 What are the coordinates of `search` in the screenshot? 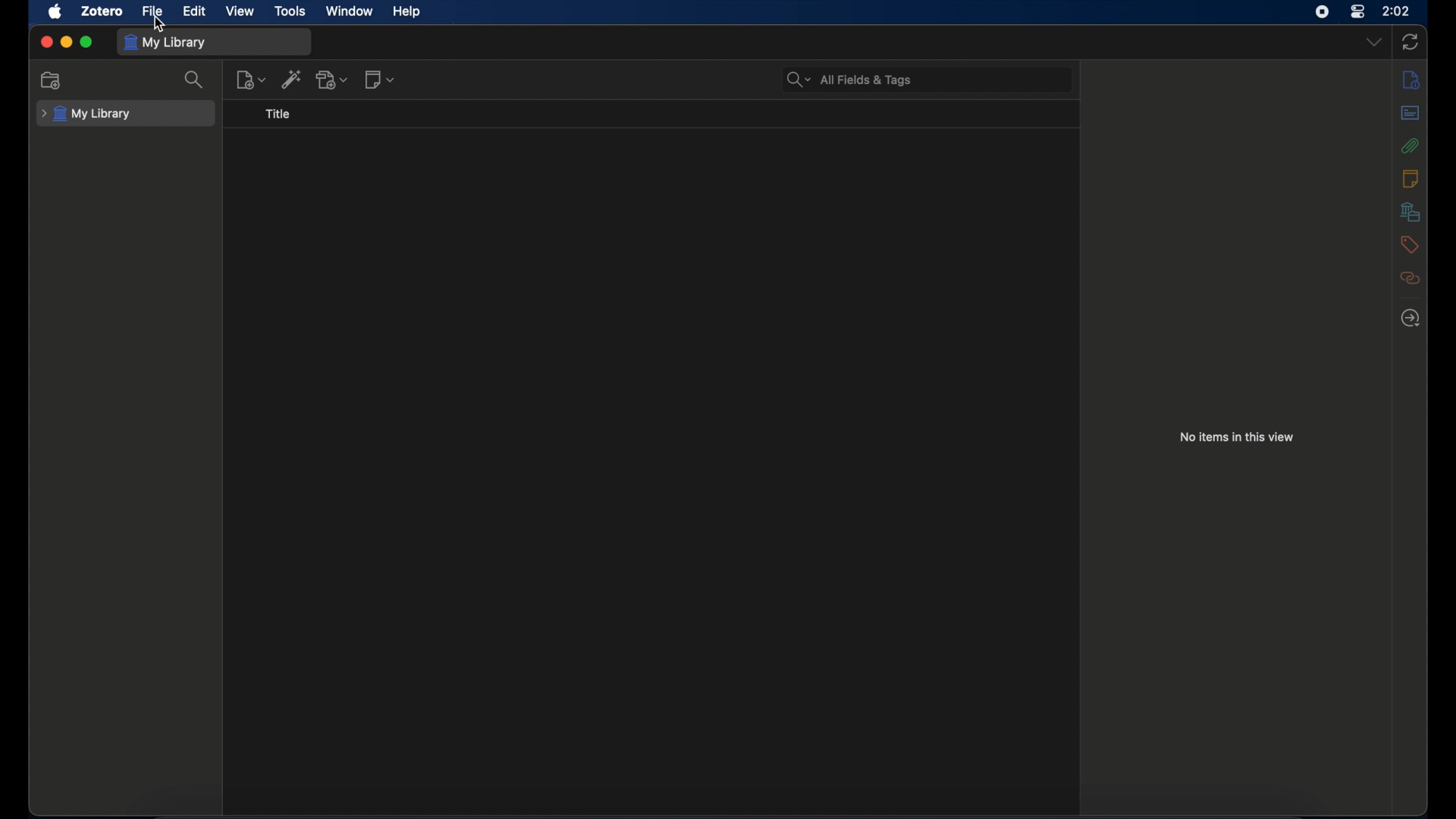 It's located at (849, 80).